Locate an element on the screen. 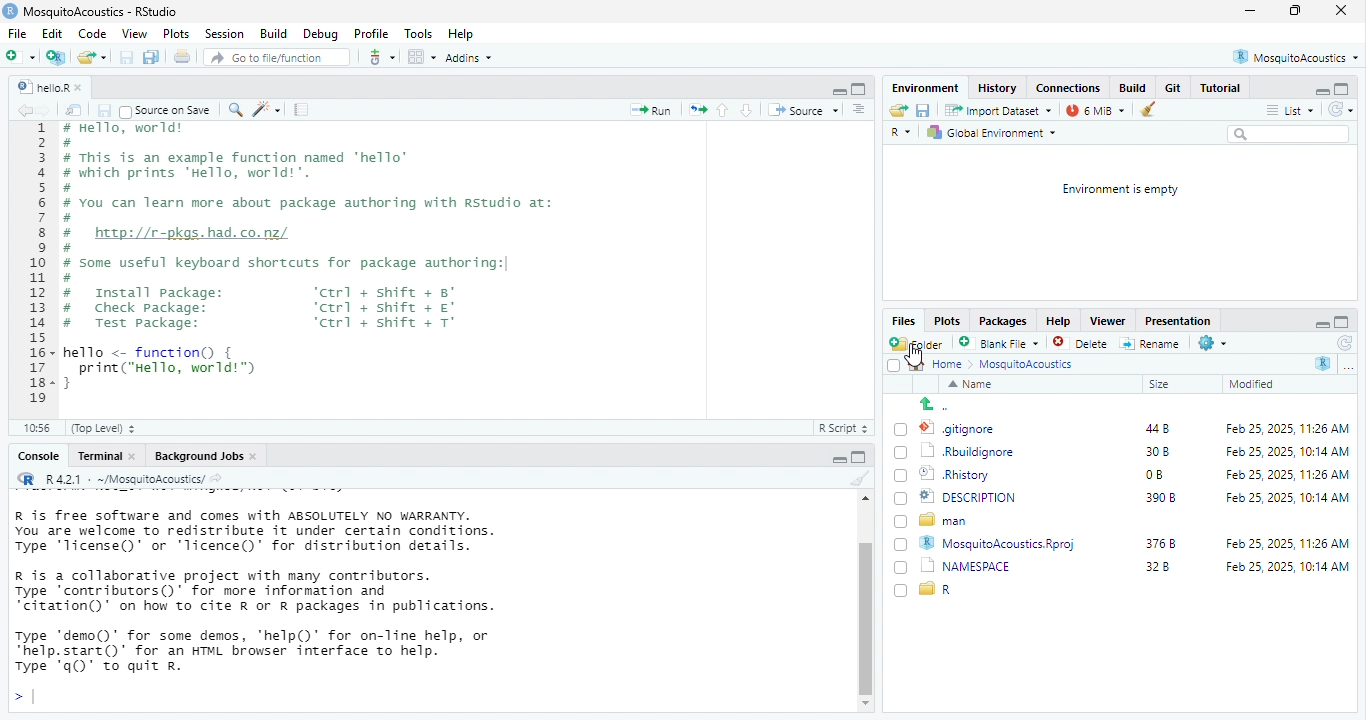   DESCRIPTION is located at coordinates (983, 498).